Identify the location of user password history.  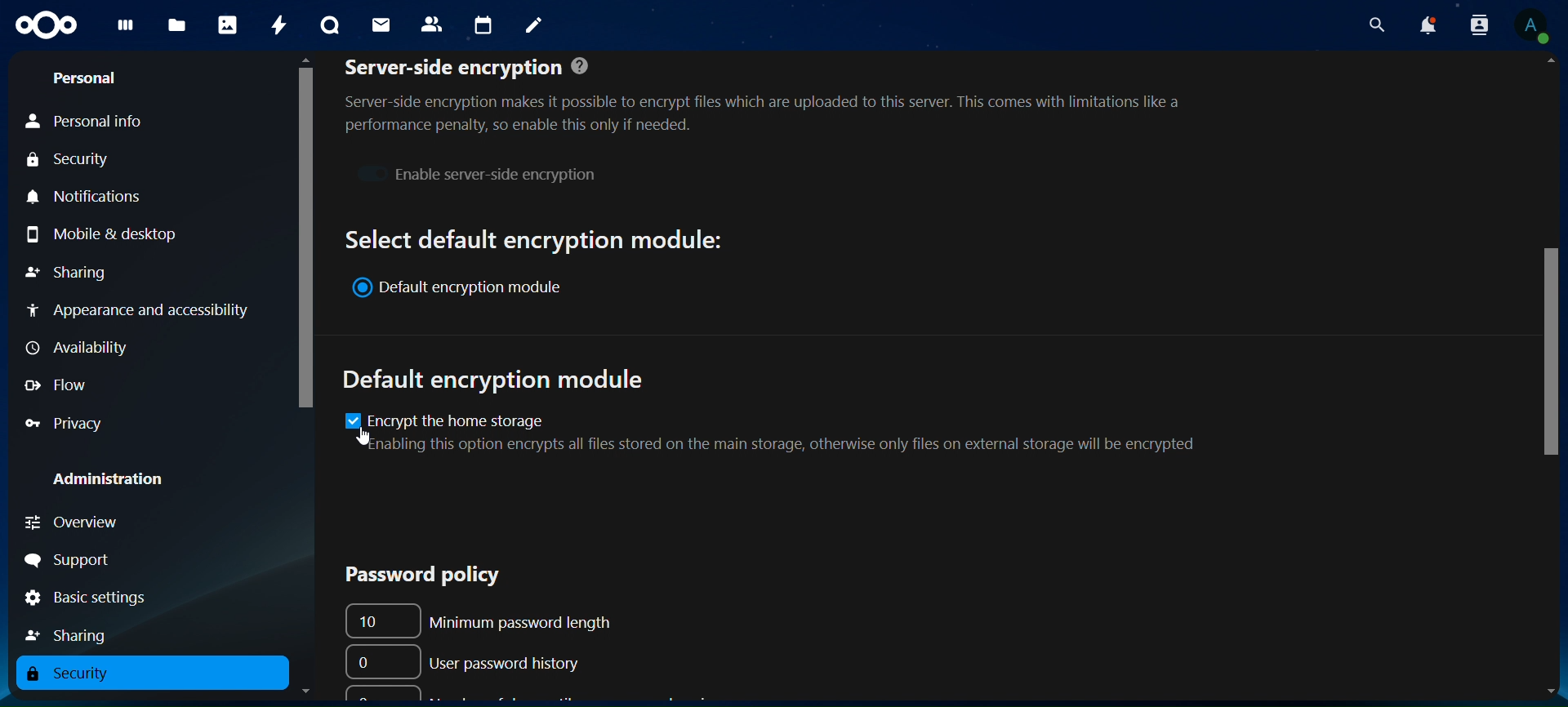
(469, 660).